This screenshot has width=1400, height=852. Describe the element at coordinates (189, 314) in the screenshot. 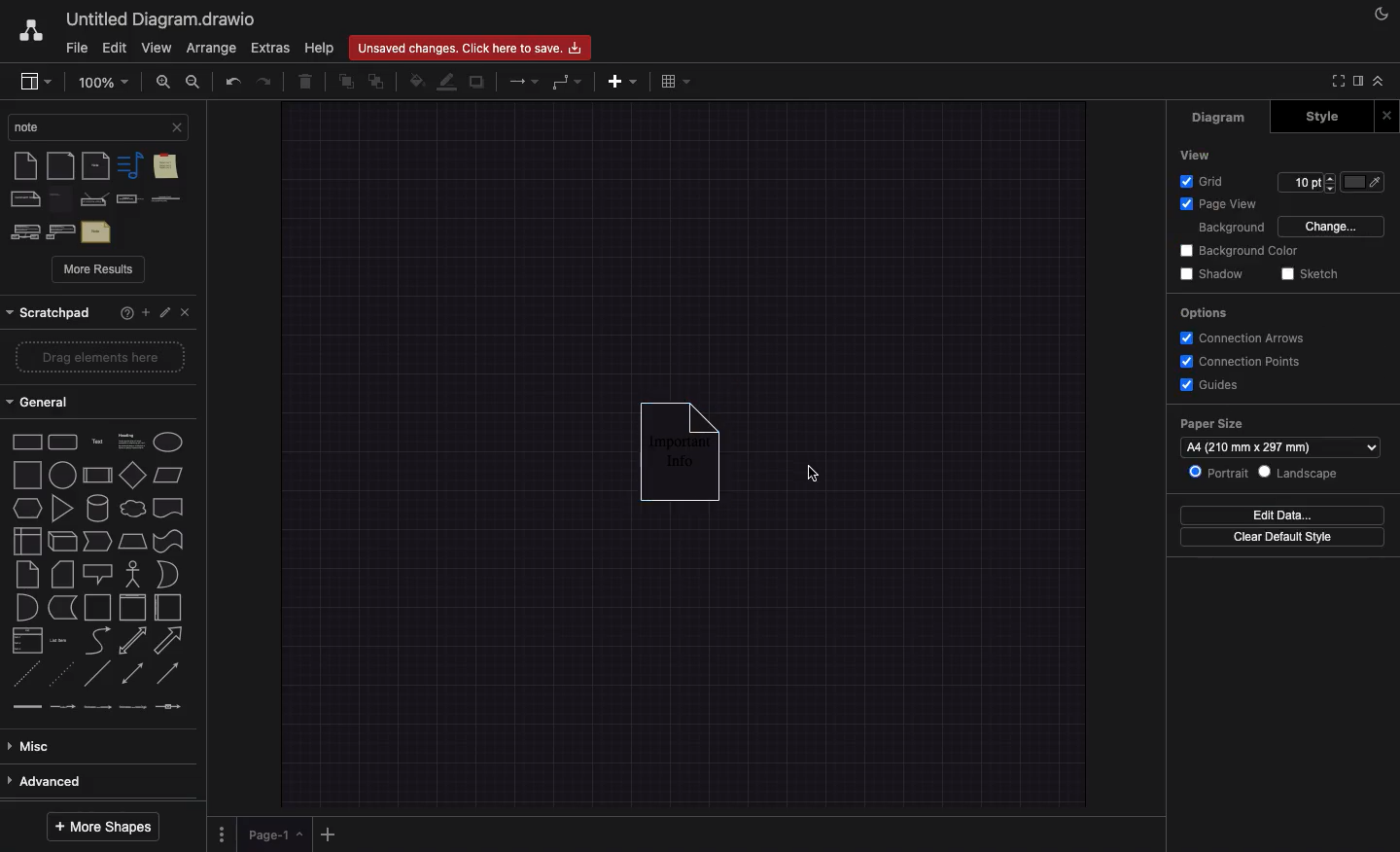

I see `Close` at that location.